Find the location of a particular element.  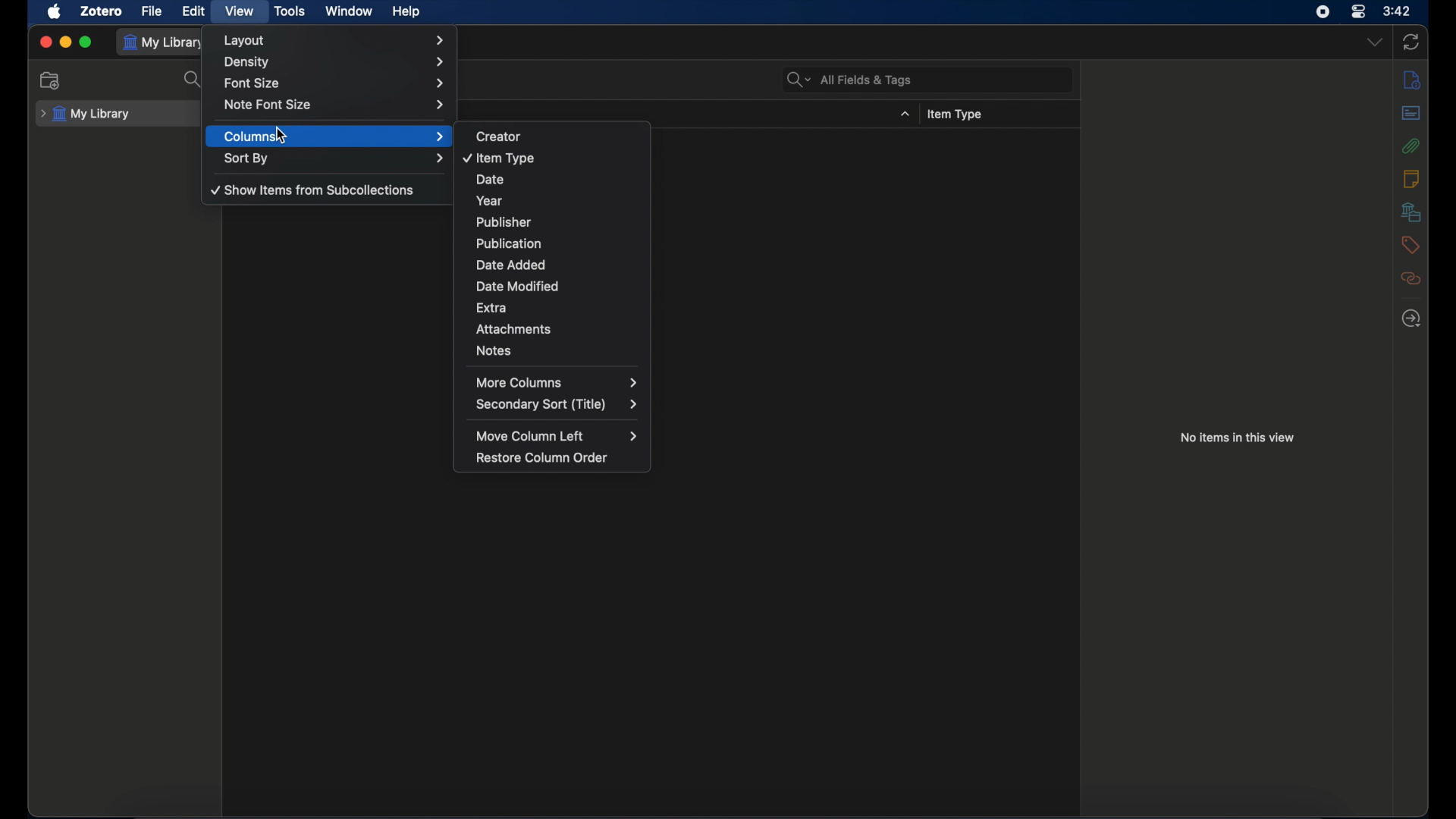

tags is located at coordinates (1411, 244).